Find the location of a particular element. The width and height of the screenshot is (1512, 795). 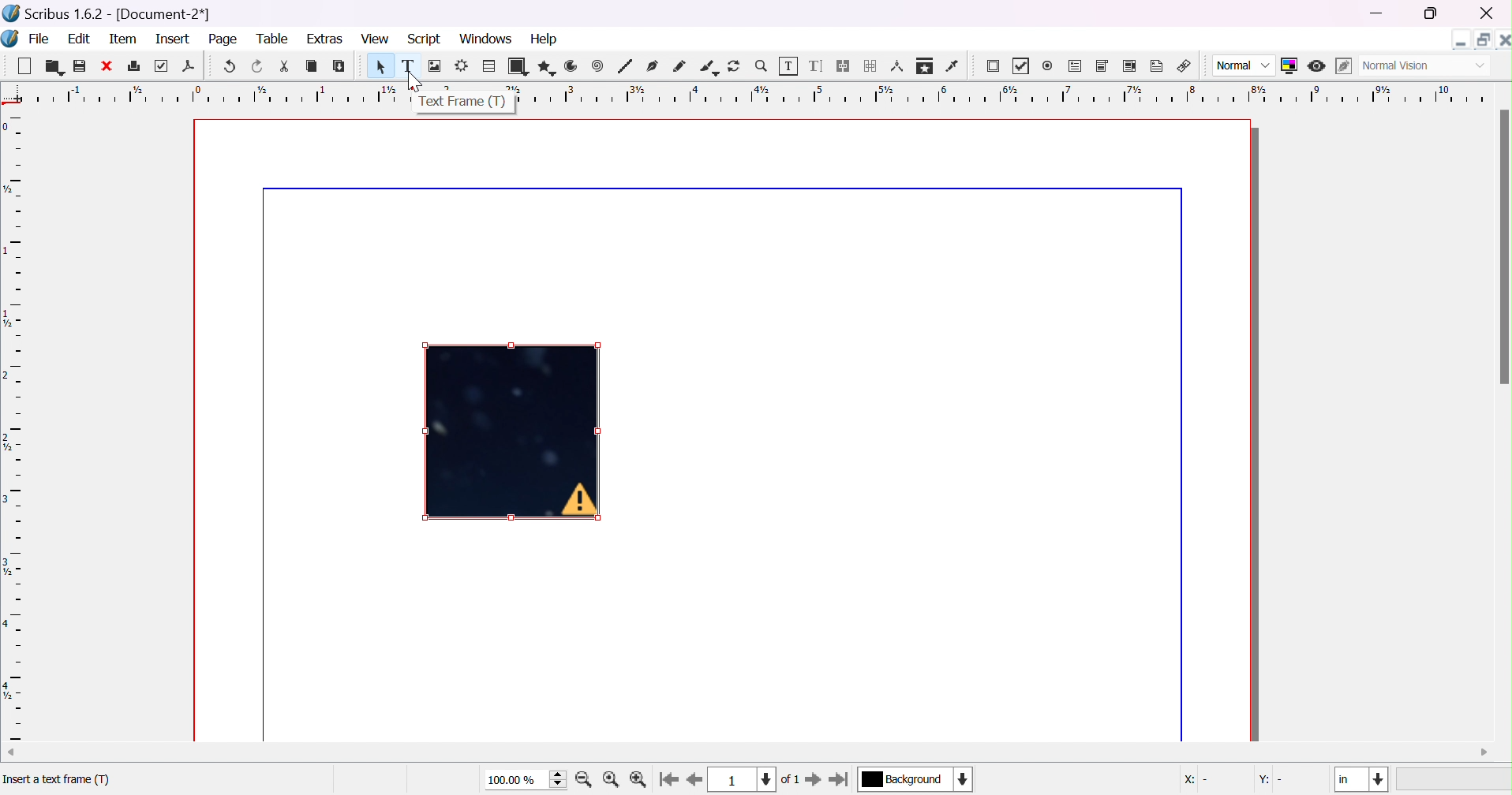

normal vision is located at coordinates (1424, 66).